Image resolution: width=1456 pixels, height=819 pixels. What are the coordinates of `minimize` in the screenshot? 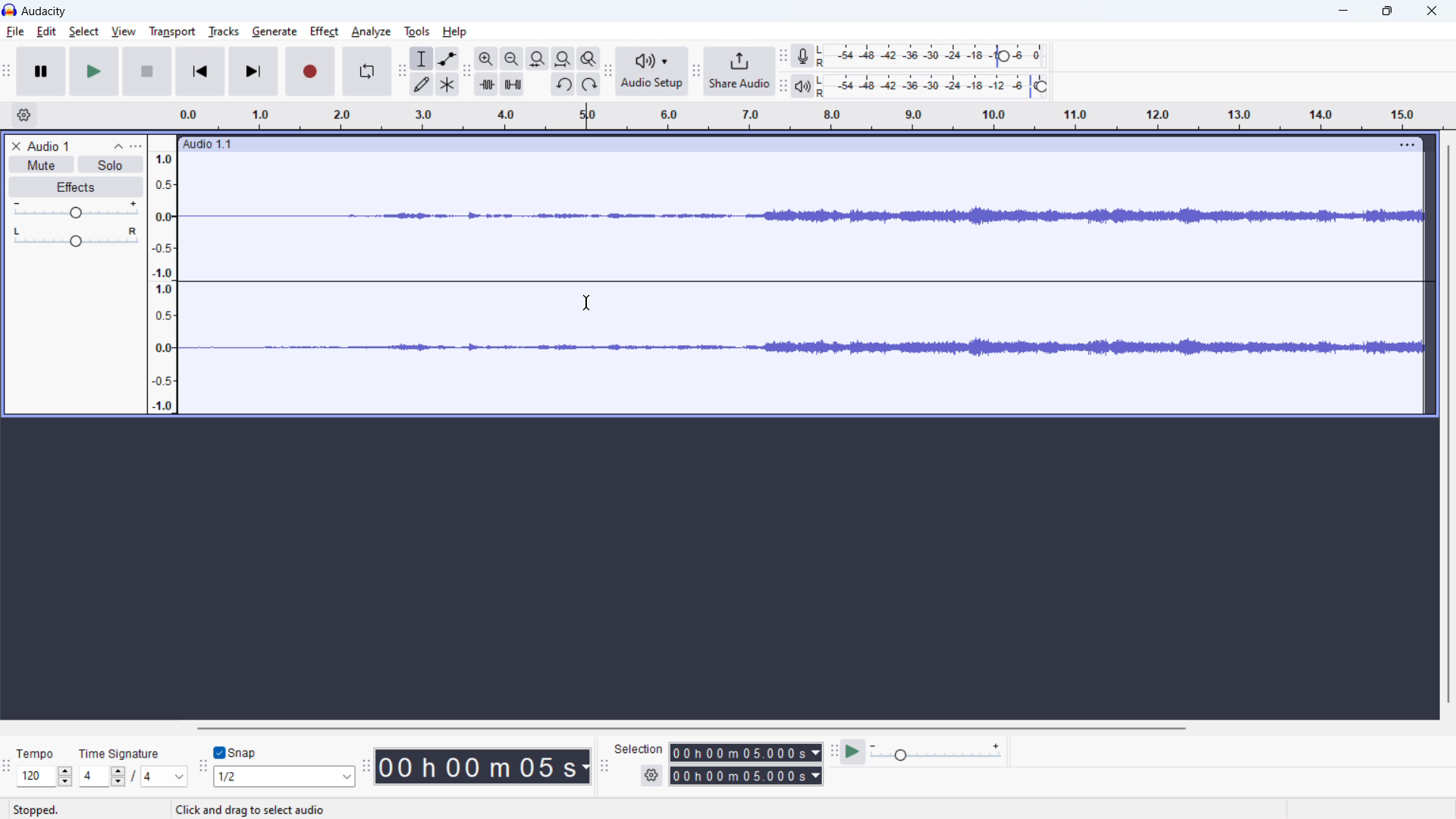 It's located at (1342, 10).